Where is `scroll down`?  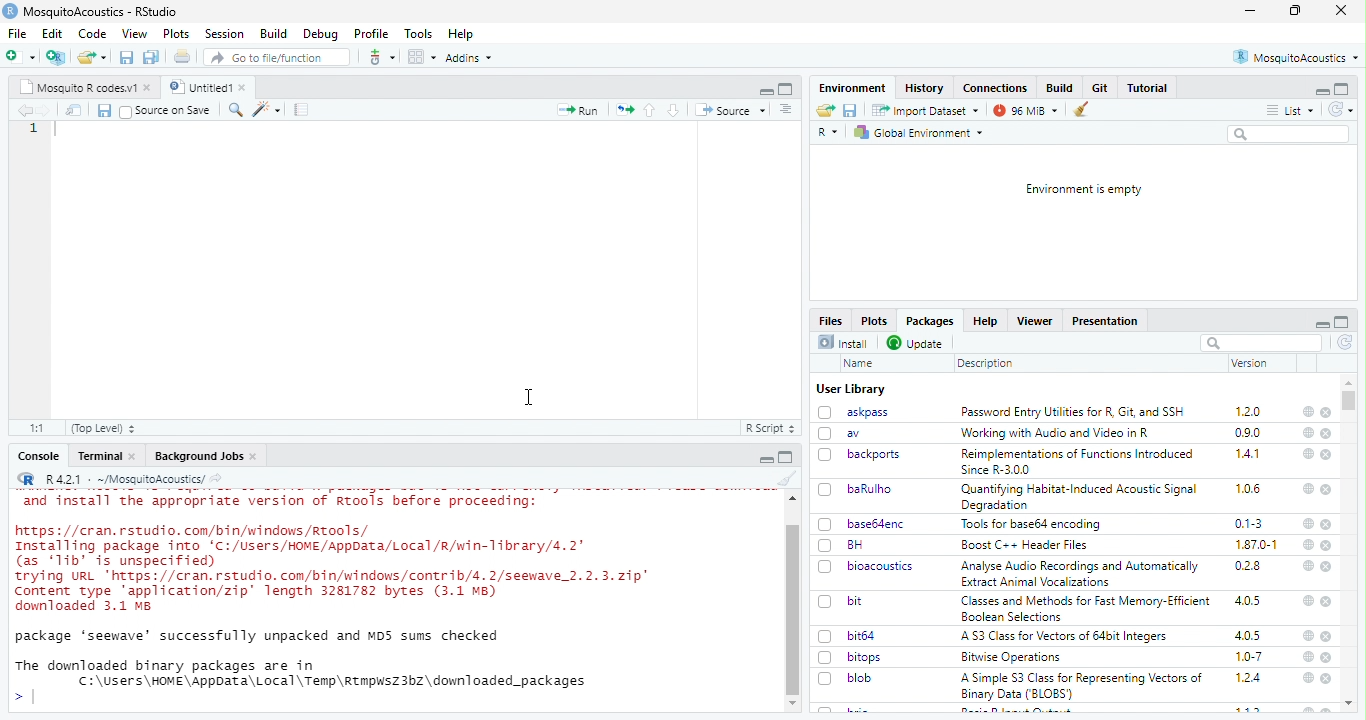 scroll down is located at coordinates (1350, 704).